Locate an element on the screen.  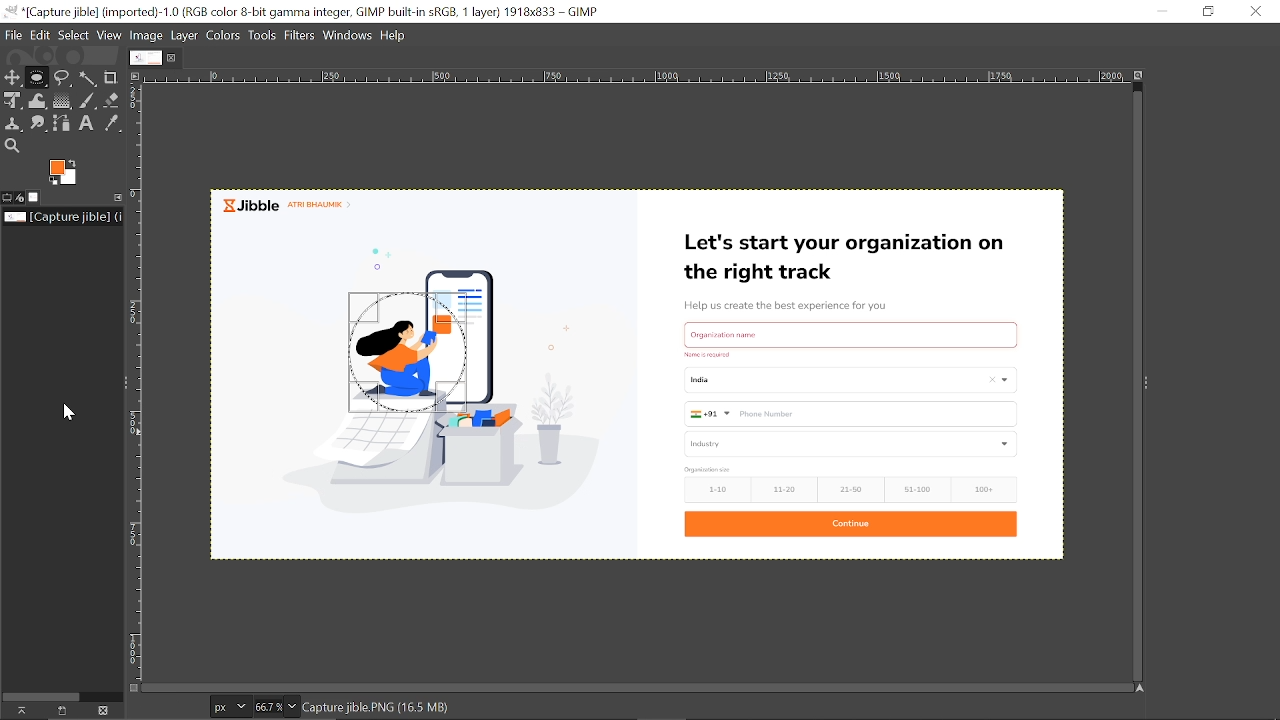
Sidebar menu is located at coordinates (1156, 386).